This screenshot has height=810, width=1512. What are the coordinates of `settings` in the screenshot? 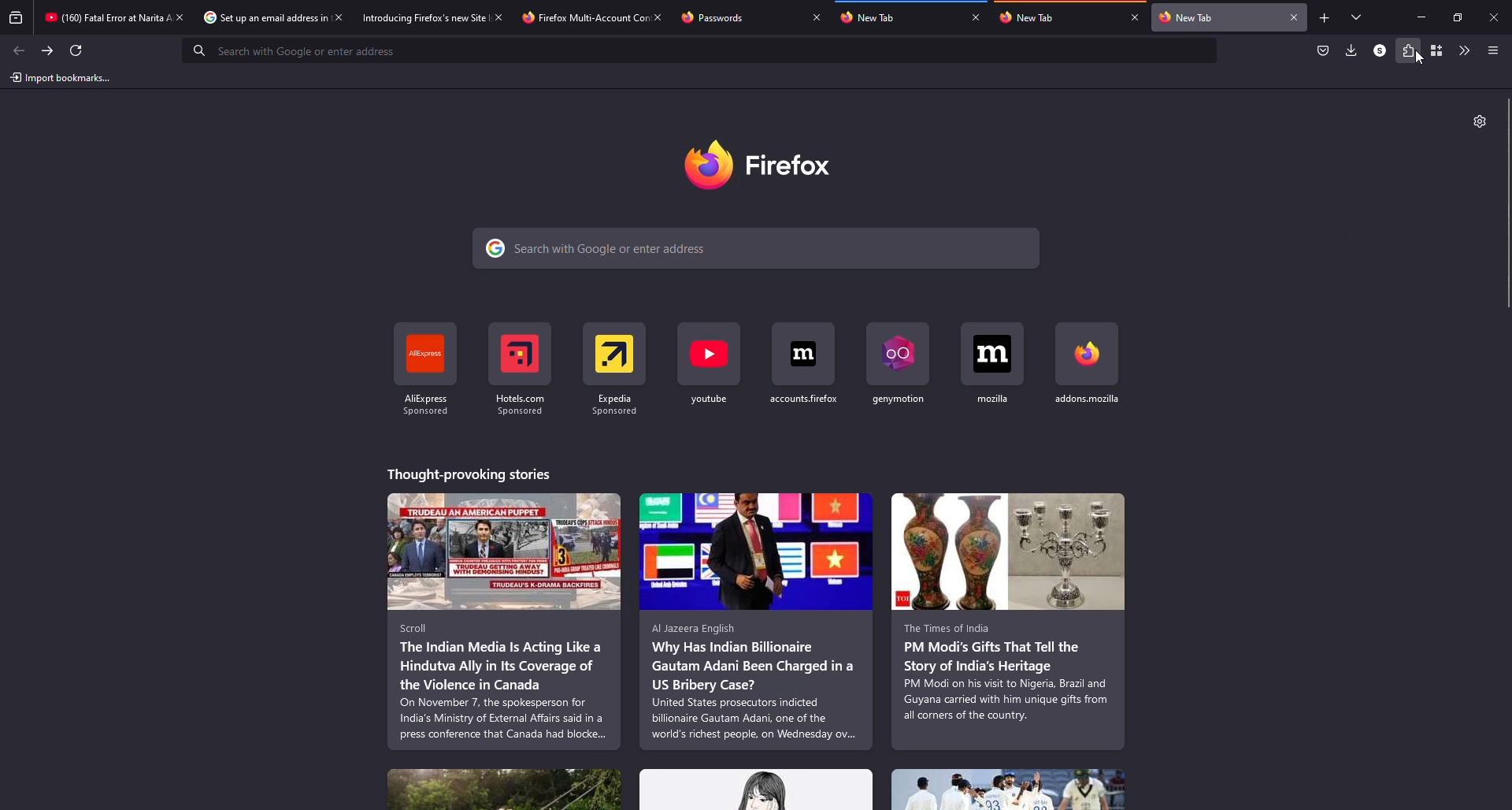 It's located at (1477, 121).